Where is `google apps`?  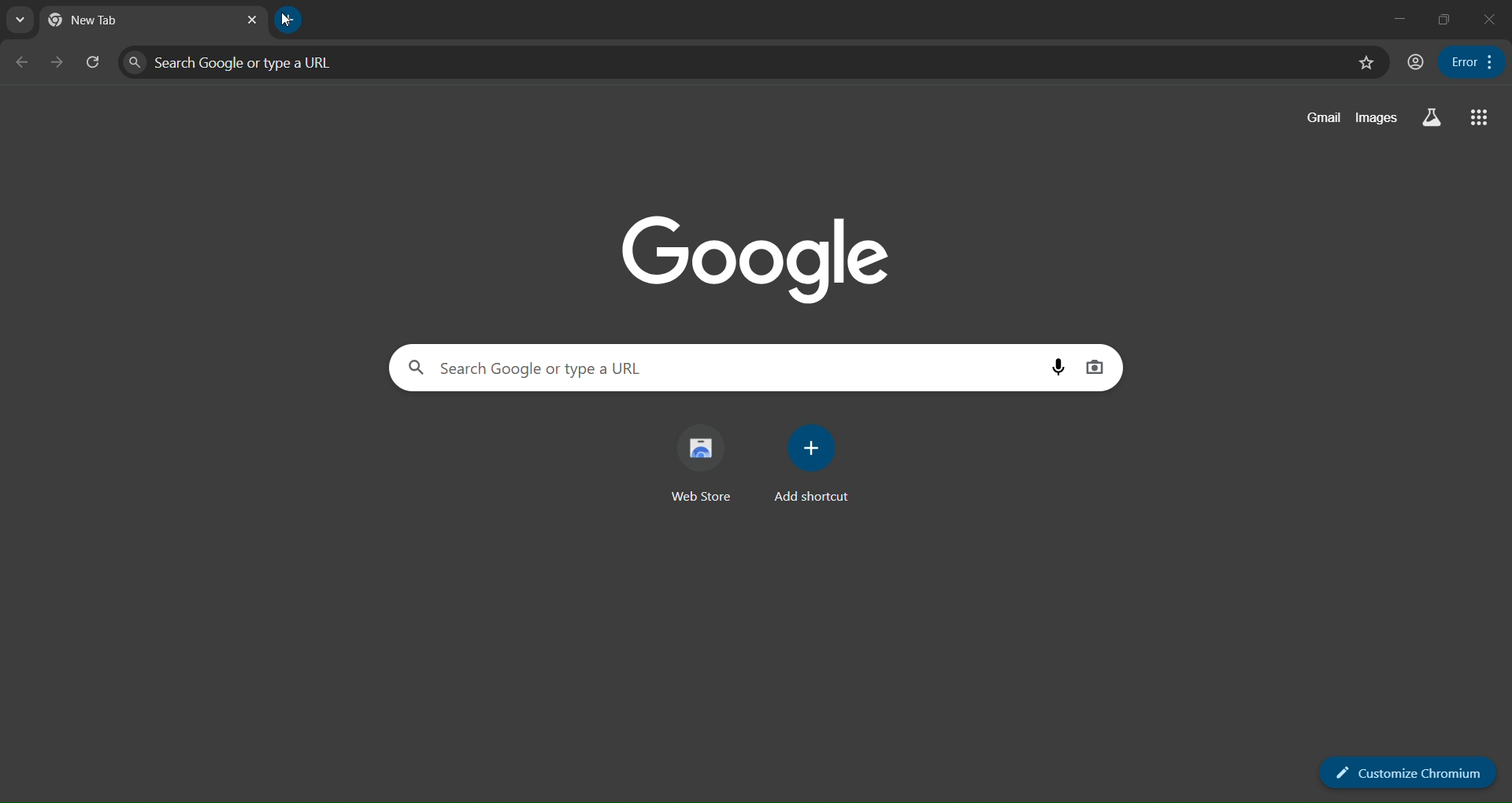
google apps is located at coordinates (1482, 119).